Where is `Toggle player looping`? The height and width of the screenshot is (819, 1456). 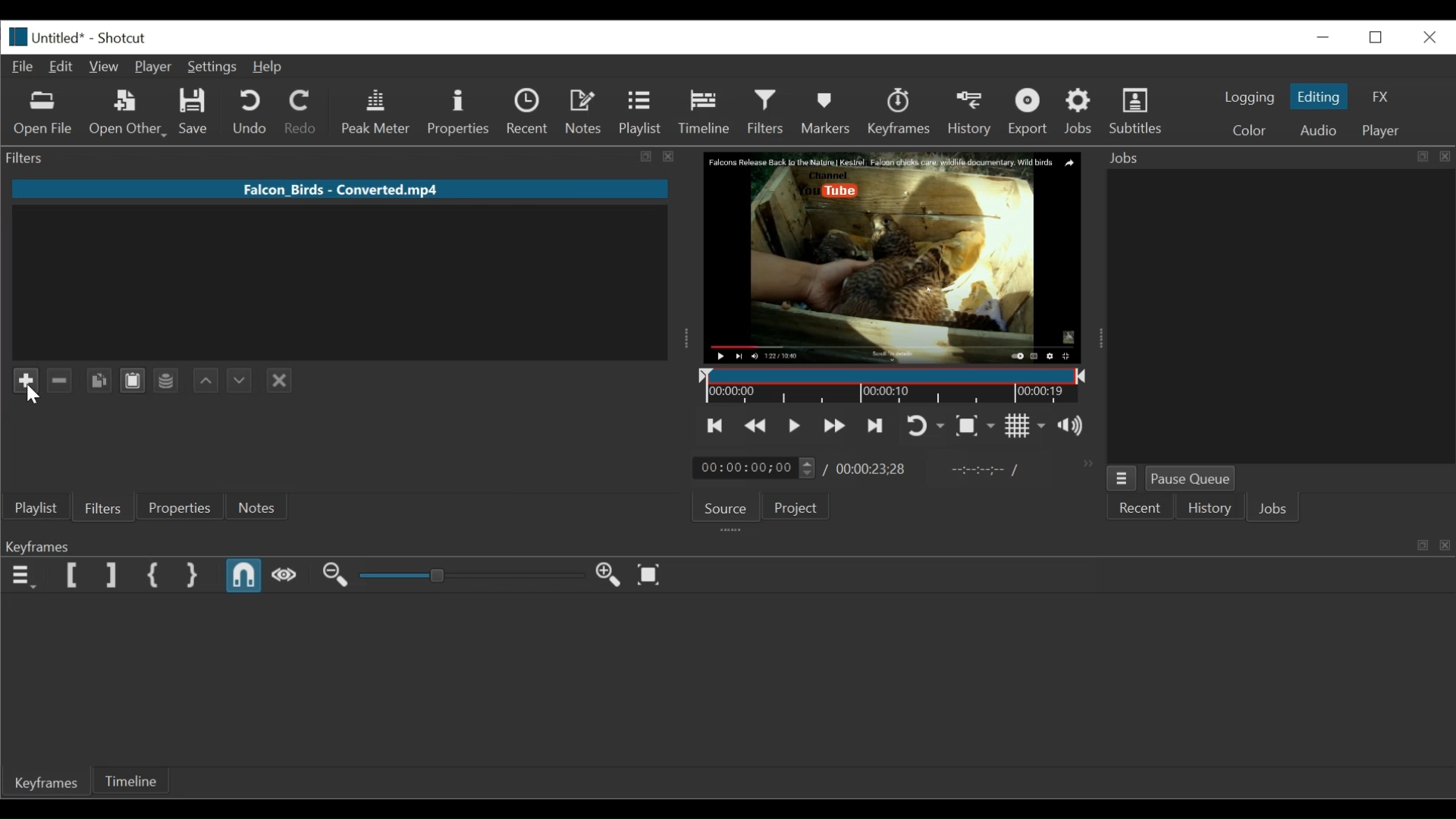 Toggle player looping is located at coordinates (923, 427).